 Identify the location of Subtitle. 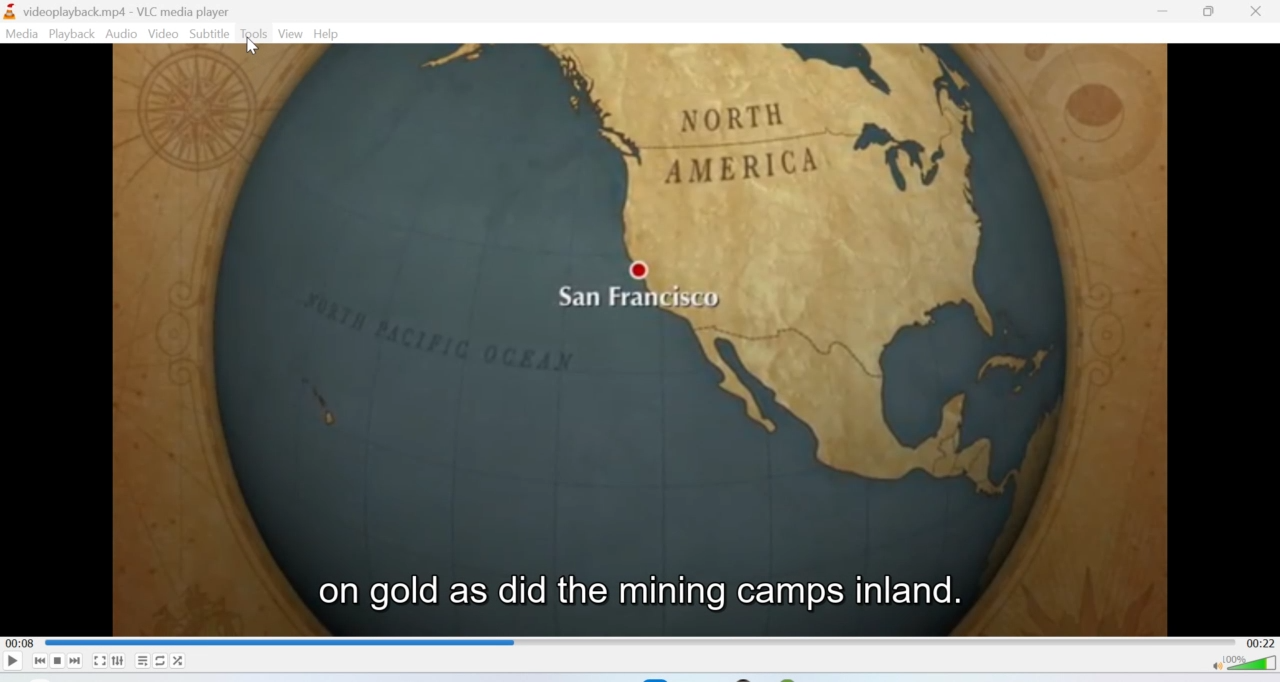
(210, 33).